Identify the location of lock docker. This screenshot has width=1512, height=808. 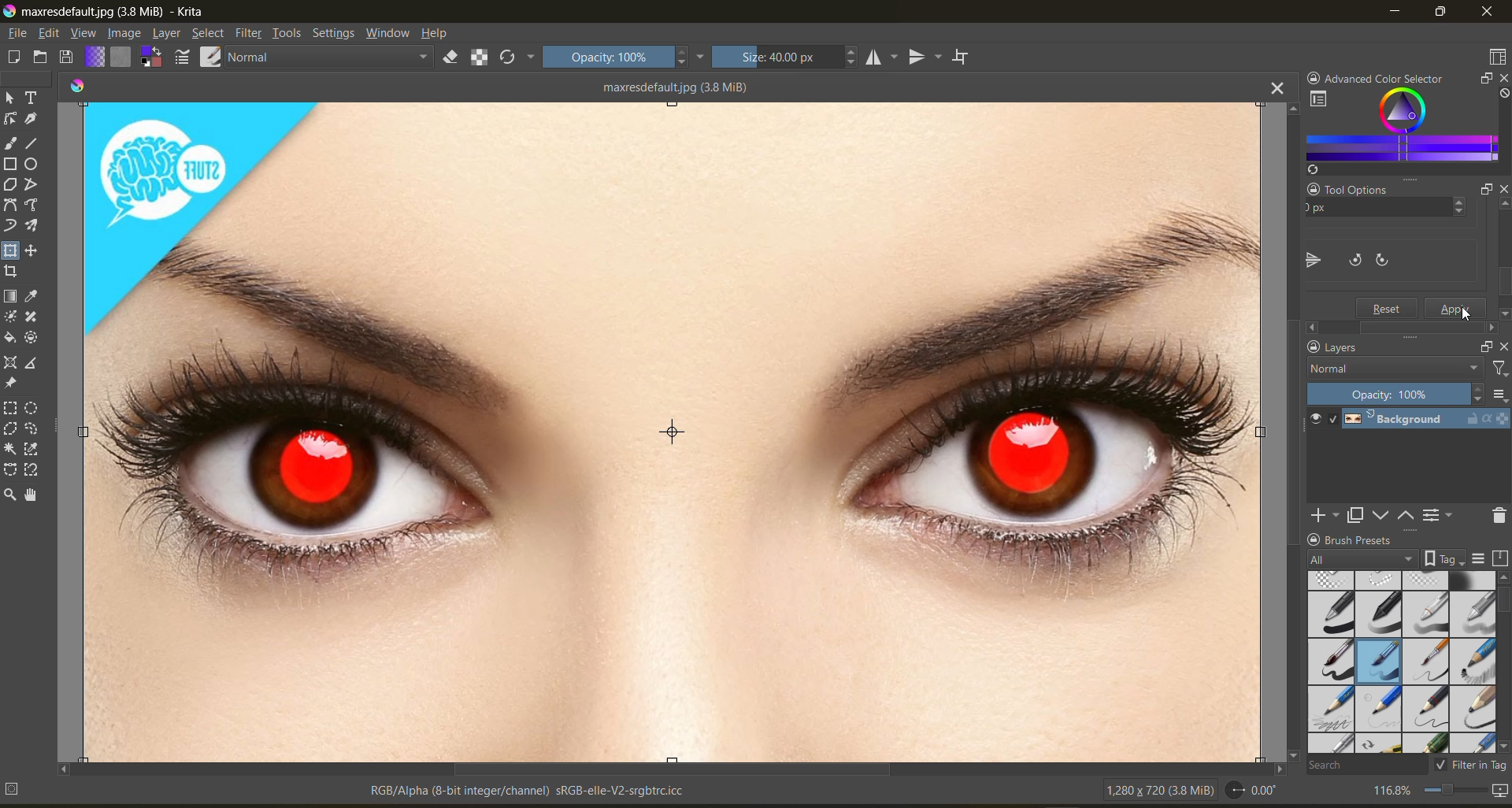
(1311, 75).